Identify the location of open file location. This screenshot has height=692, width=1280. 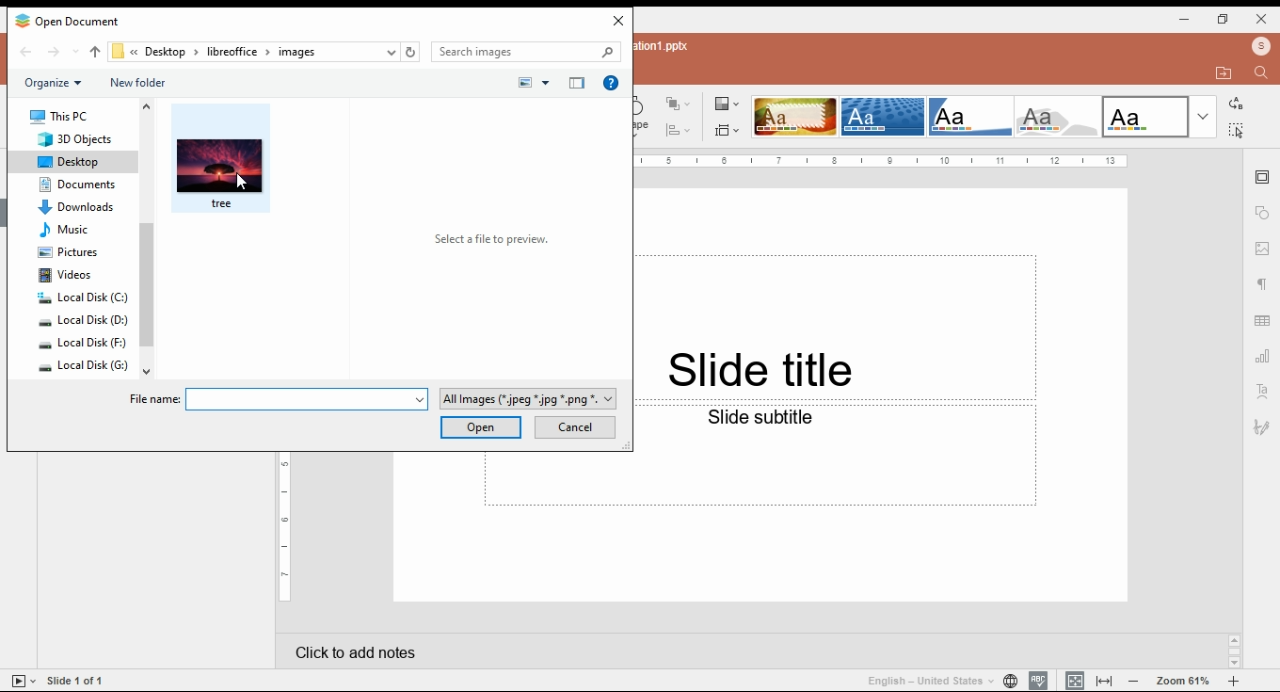
(1224, 73).